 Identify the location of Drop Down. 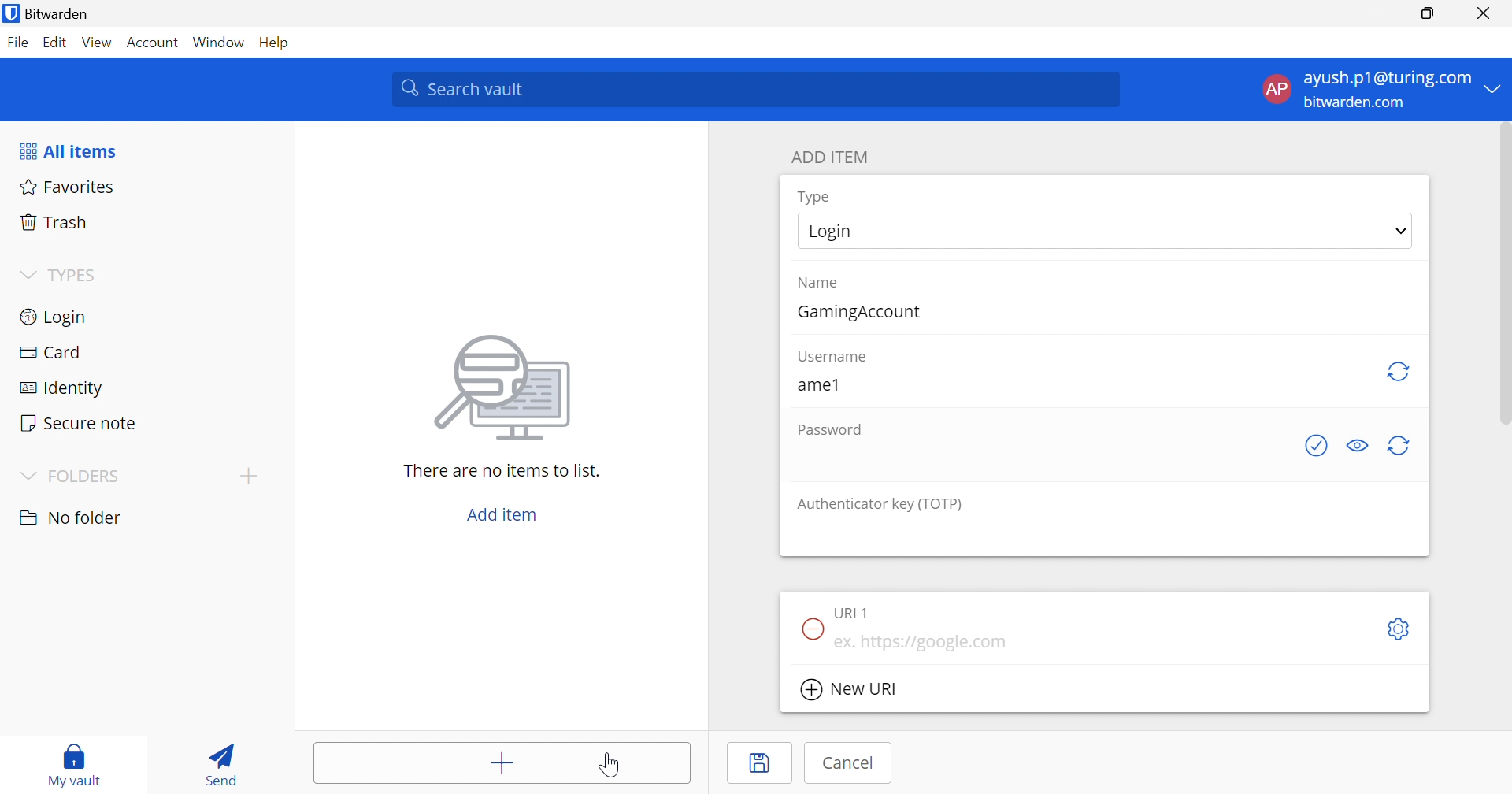
(27, 275).